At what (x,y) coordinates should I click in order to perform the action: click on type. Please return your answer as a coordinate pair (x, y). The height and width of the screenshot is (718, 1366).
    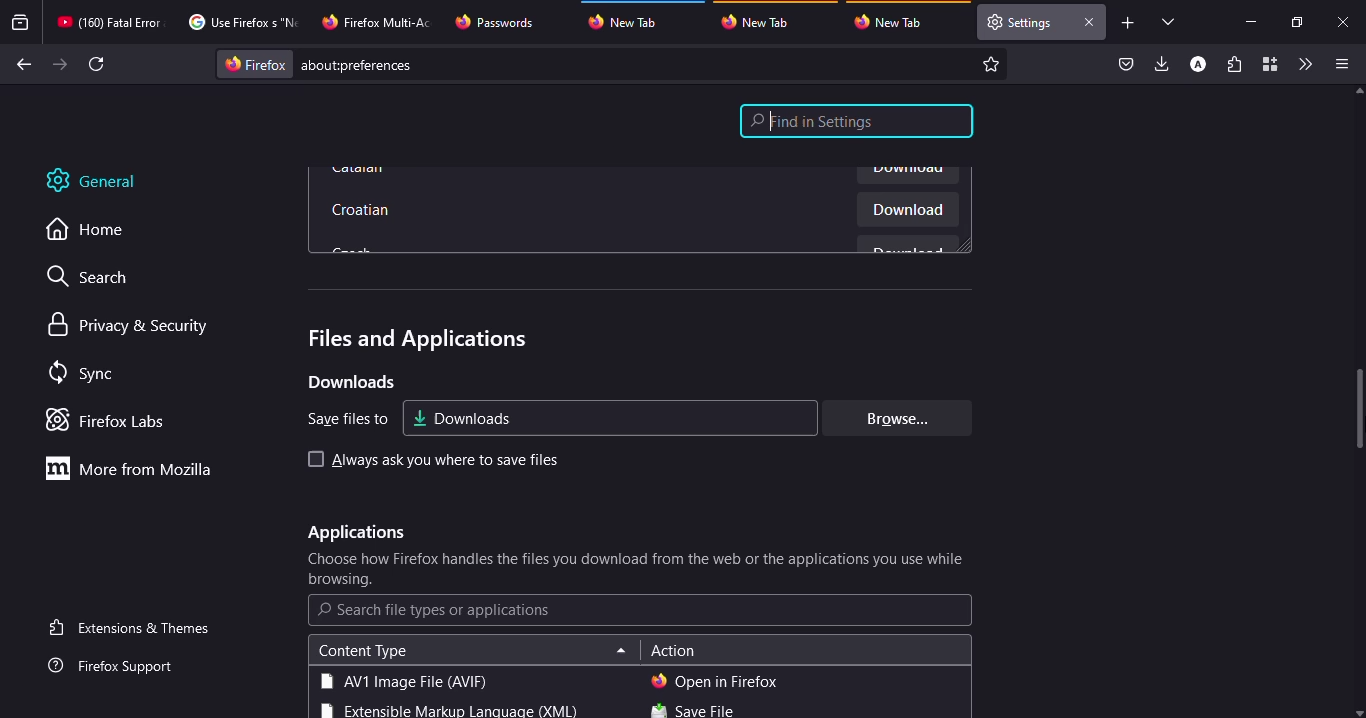
    Looking at the image, I should click on (447, 710).